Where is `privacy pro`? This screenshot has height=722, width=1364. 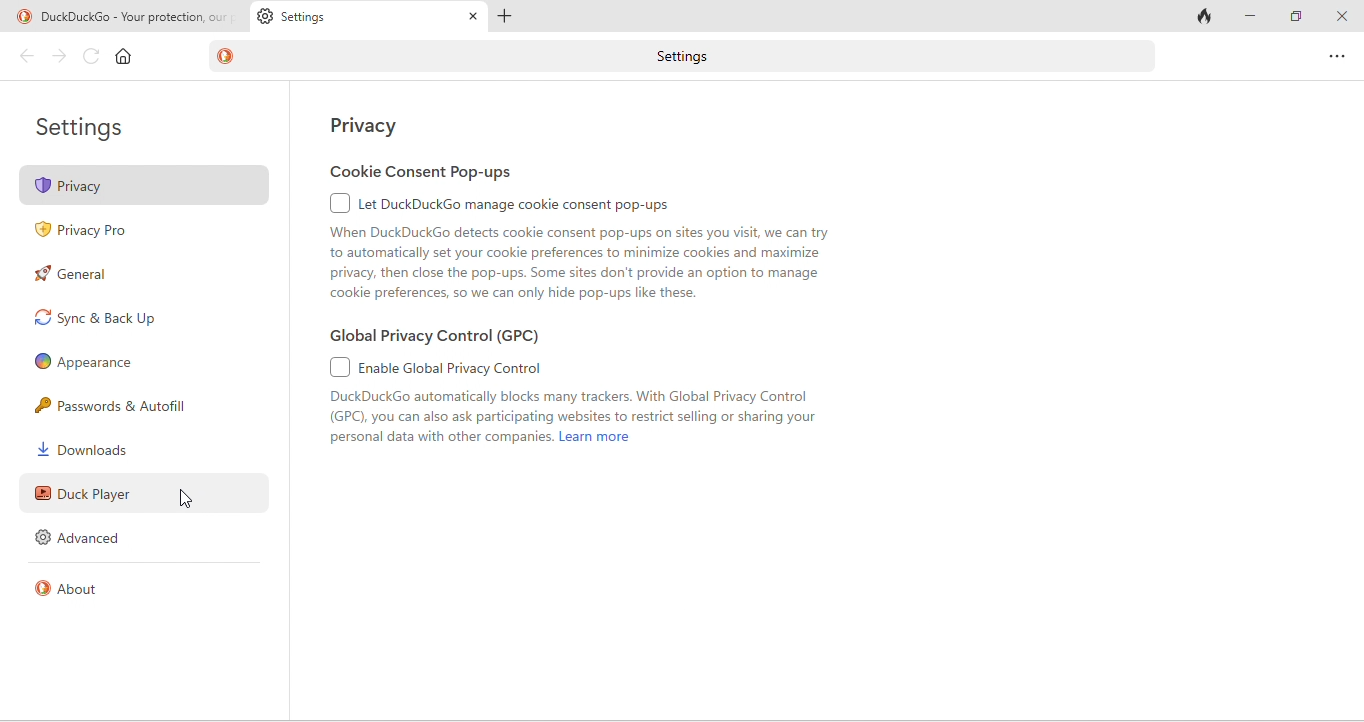
privacy pro is located at coordinates (95, 232).